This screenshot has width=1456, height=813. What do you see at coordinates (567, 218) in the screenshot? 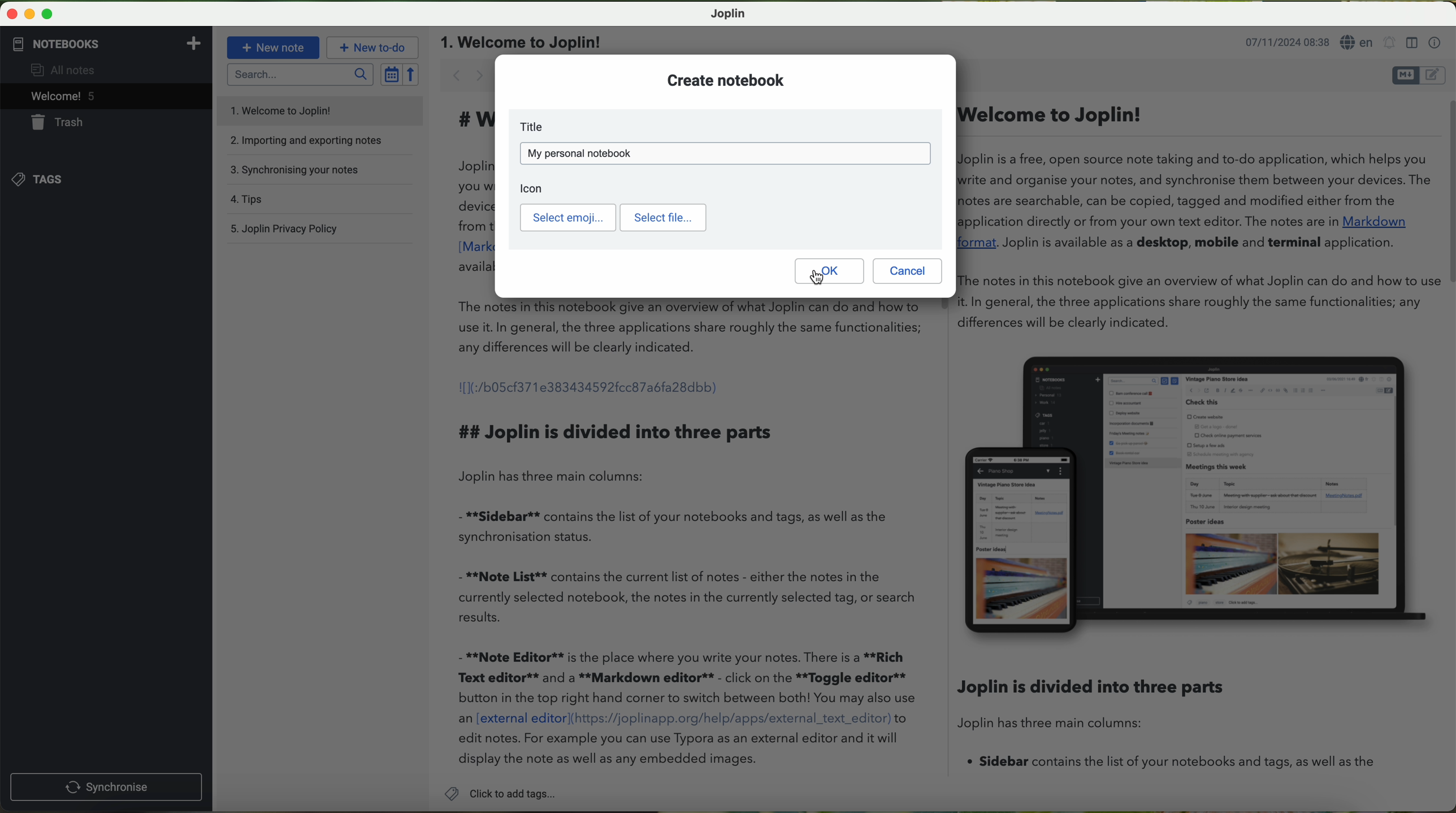
I see `select emoji` at bounding box center [567, 218].